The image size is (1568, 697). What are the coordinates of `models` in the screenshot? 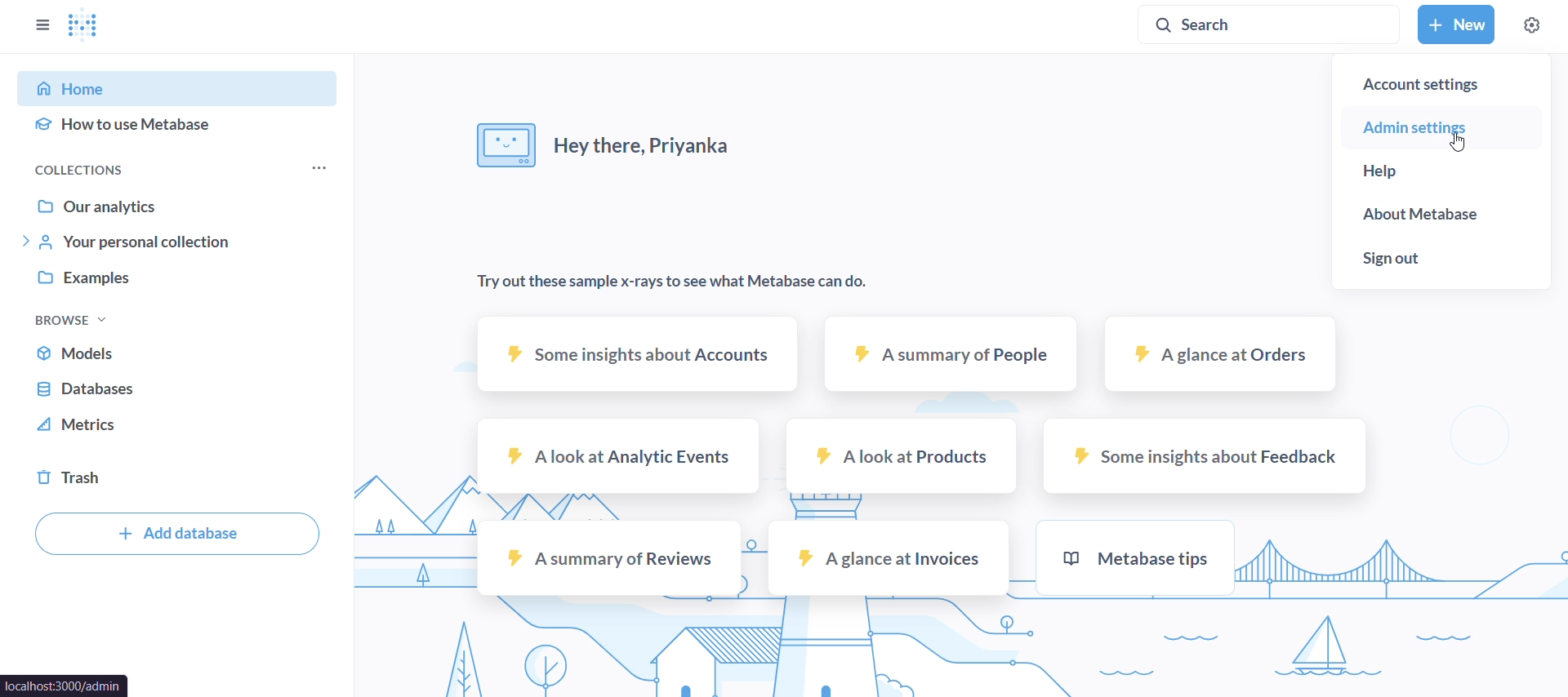 It's located at (181, 350).